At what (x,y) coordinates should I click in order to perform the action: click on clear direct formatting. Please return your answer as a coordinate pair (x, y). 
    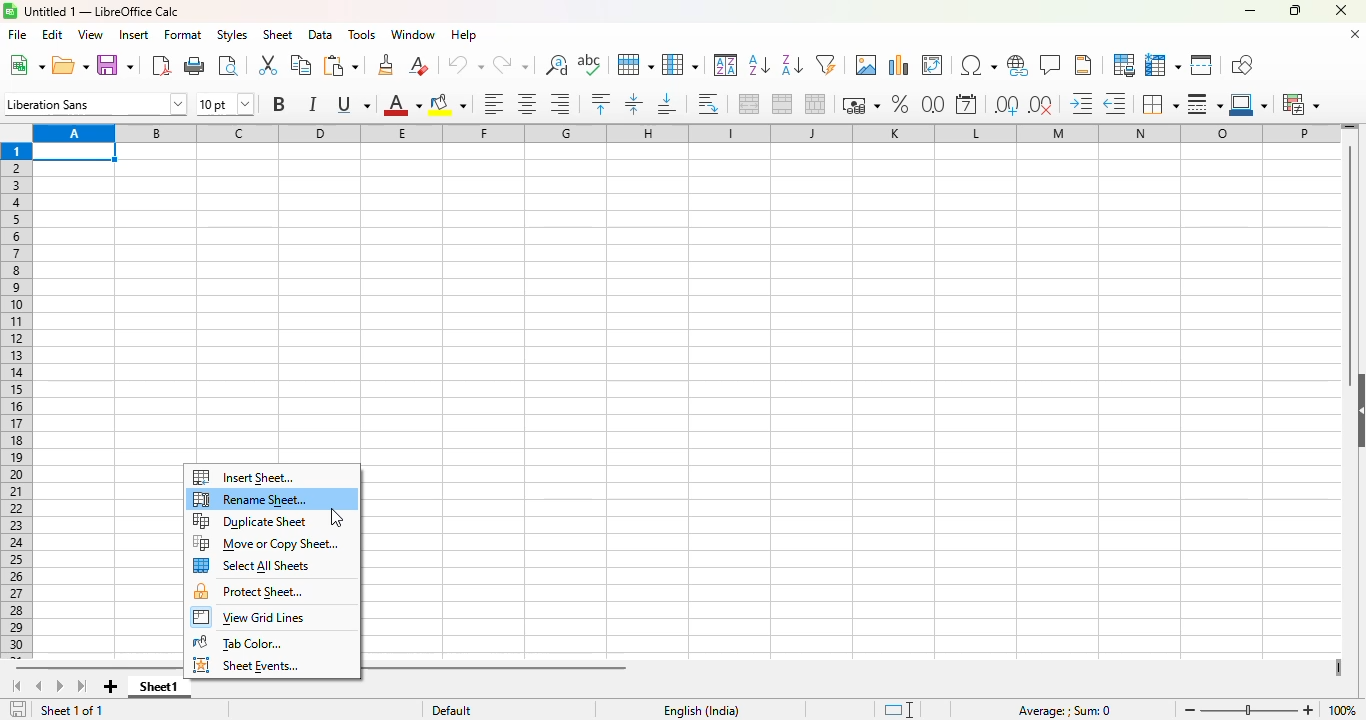
    Looking at the image, I should click on (418, 64).